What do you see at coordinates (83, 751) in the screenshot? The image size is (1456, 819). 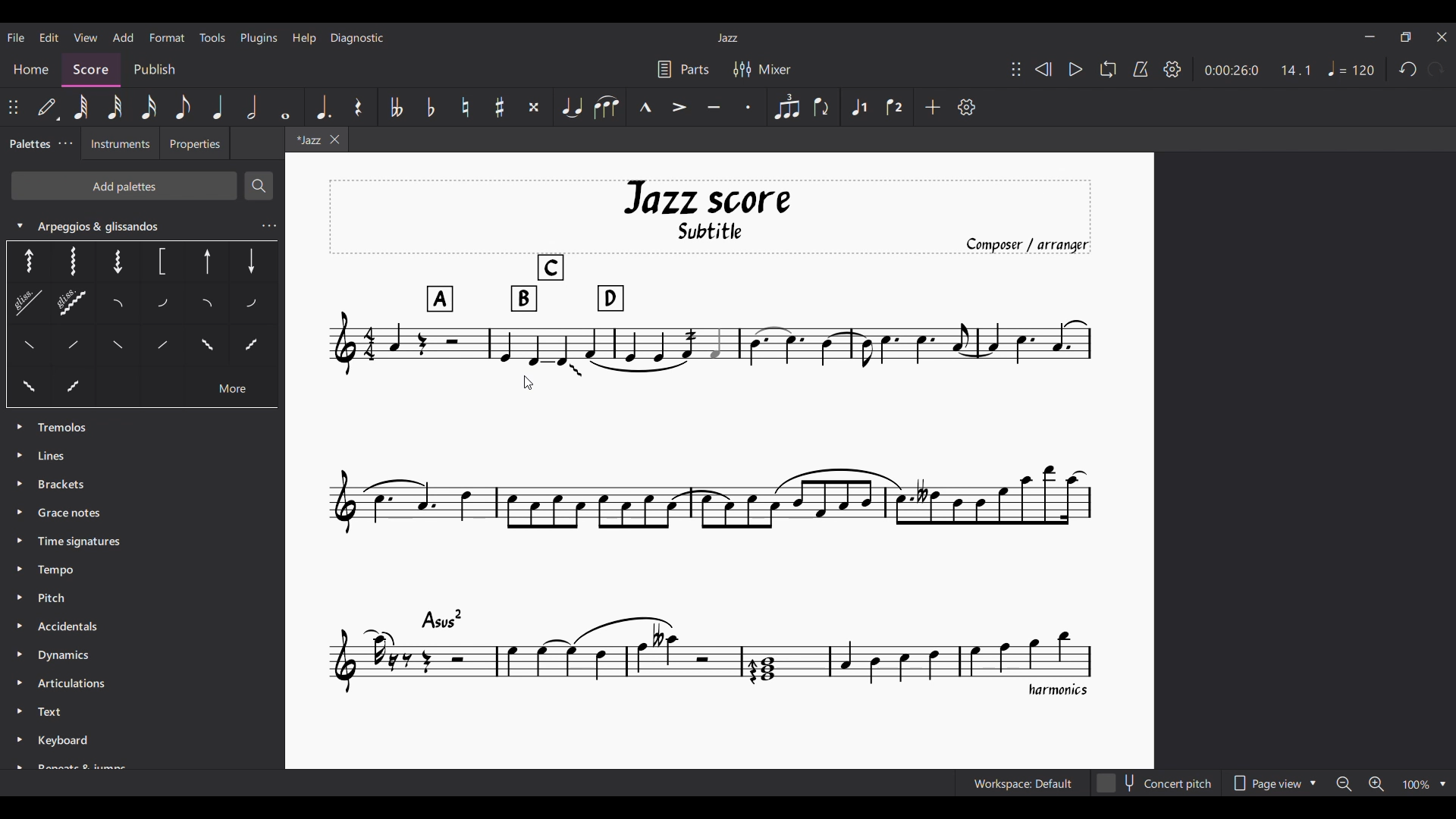 I see `Keyboard` at bounding box center [83, 751].